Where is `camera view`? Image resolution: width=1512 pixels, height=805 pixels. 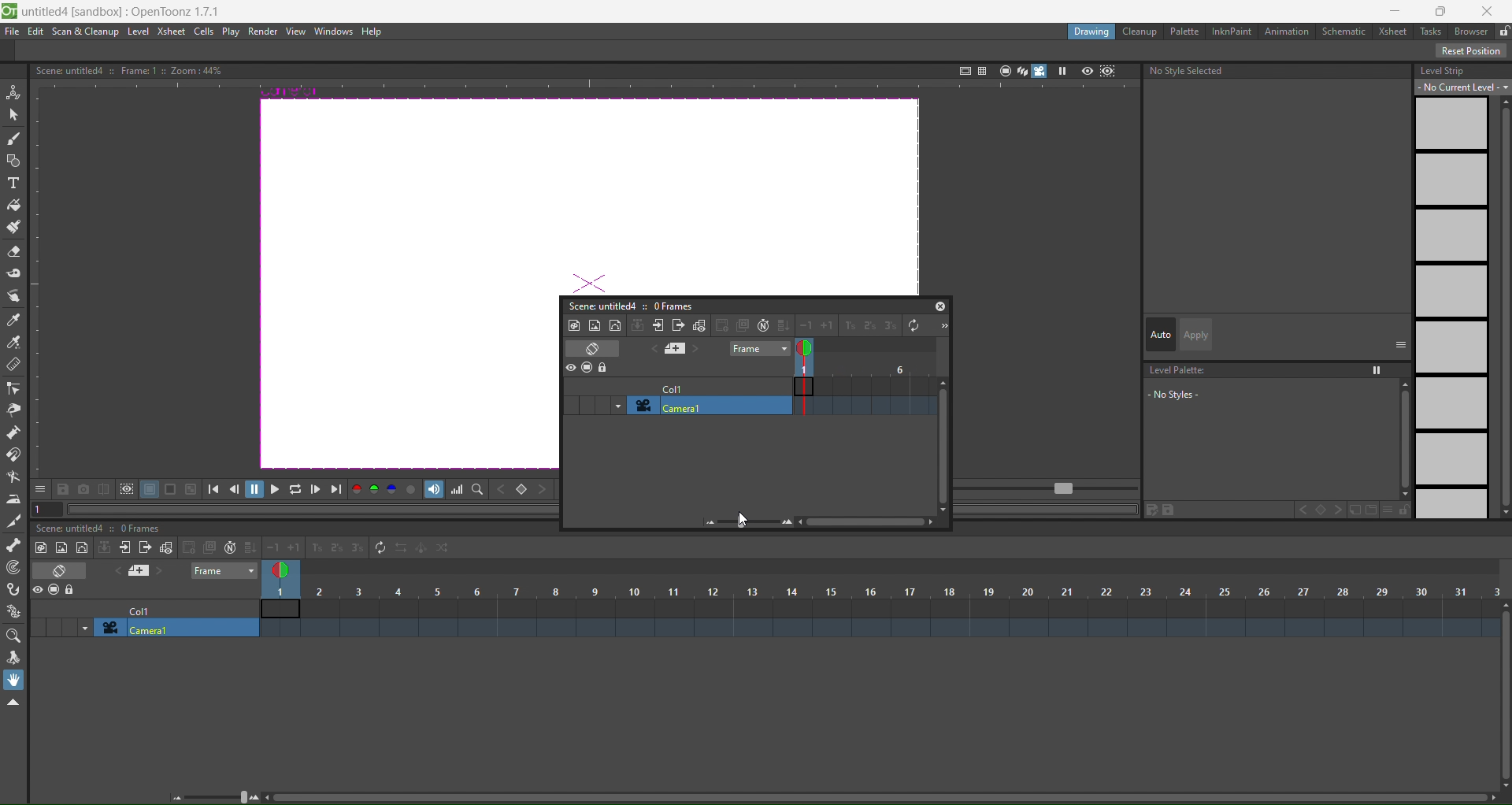
camera view is located at coordinates (1031, 71).